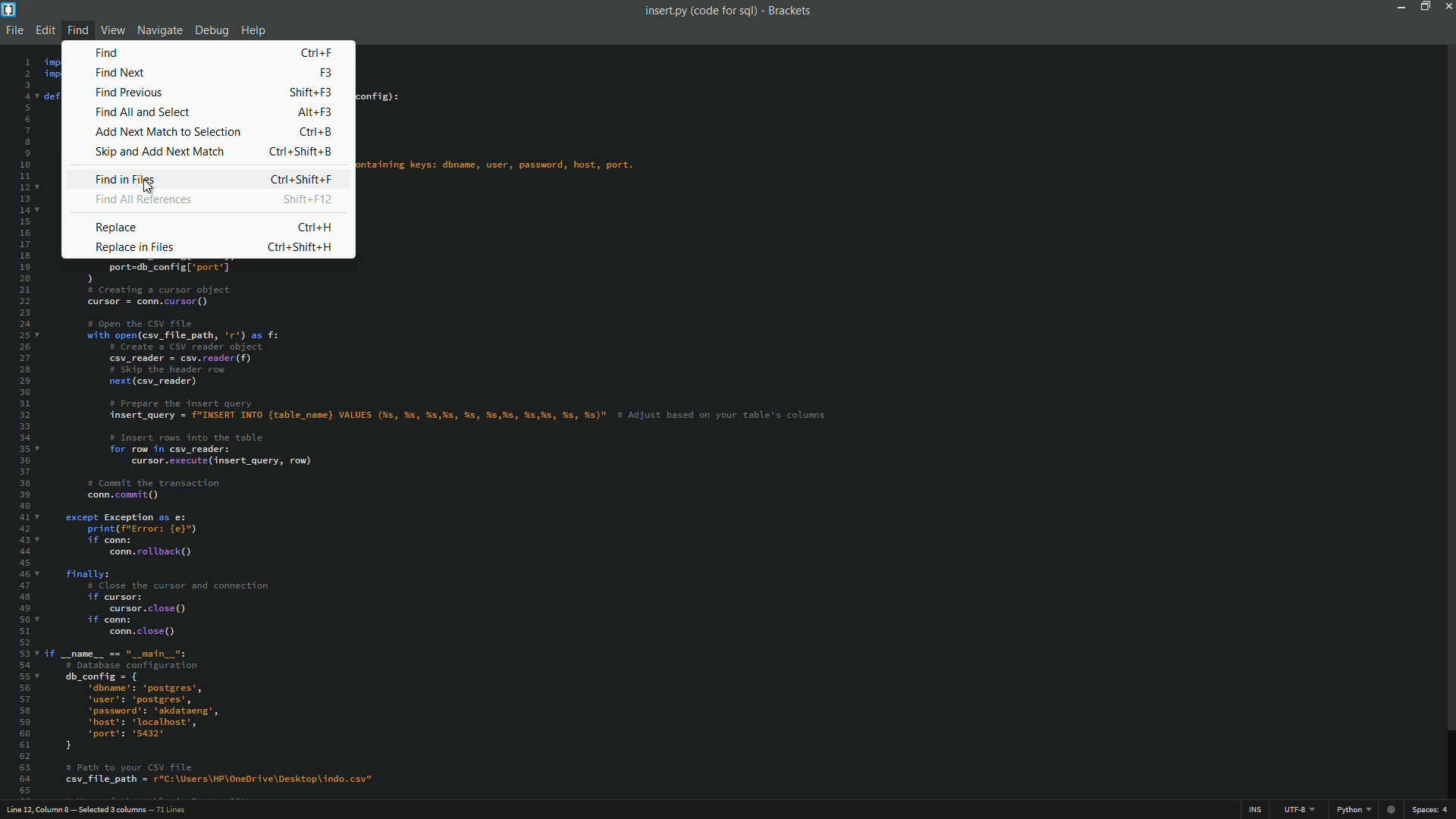 This screenshot has height=819, width=1456. Describe the element at coordinates (145, 201) in the screenshot. I see `find all references` at that location.